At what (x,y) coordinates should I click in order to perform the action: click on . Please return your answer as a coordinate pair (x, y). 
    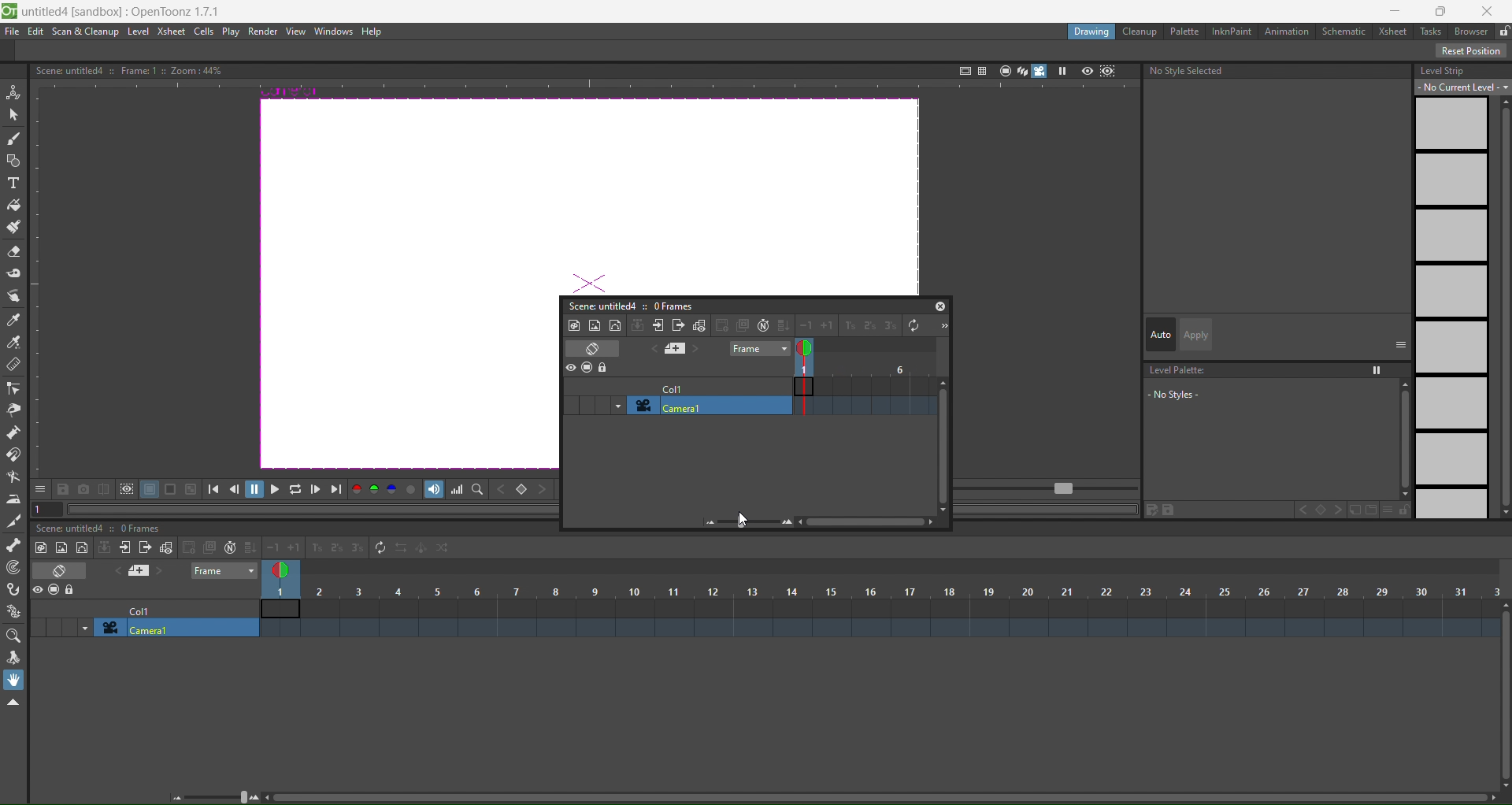
    Looking at the image, I should click on (593, 347).